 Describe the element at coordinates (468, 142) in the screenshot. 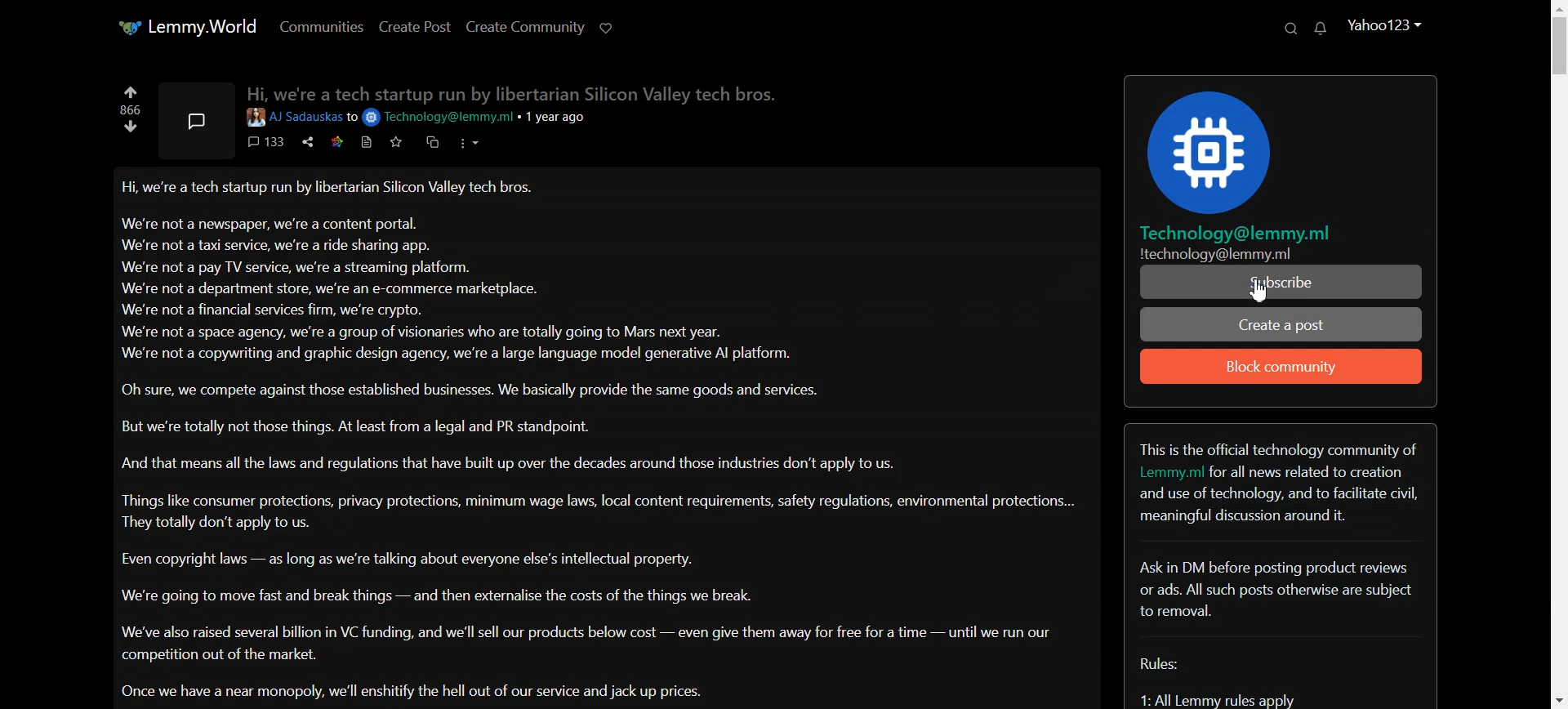

I see `More actions` at that location.